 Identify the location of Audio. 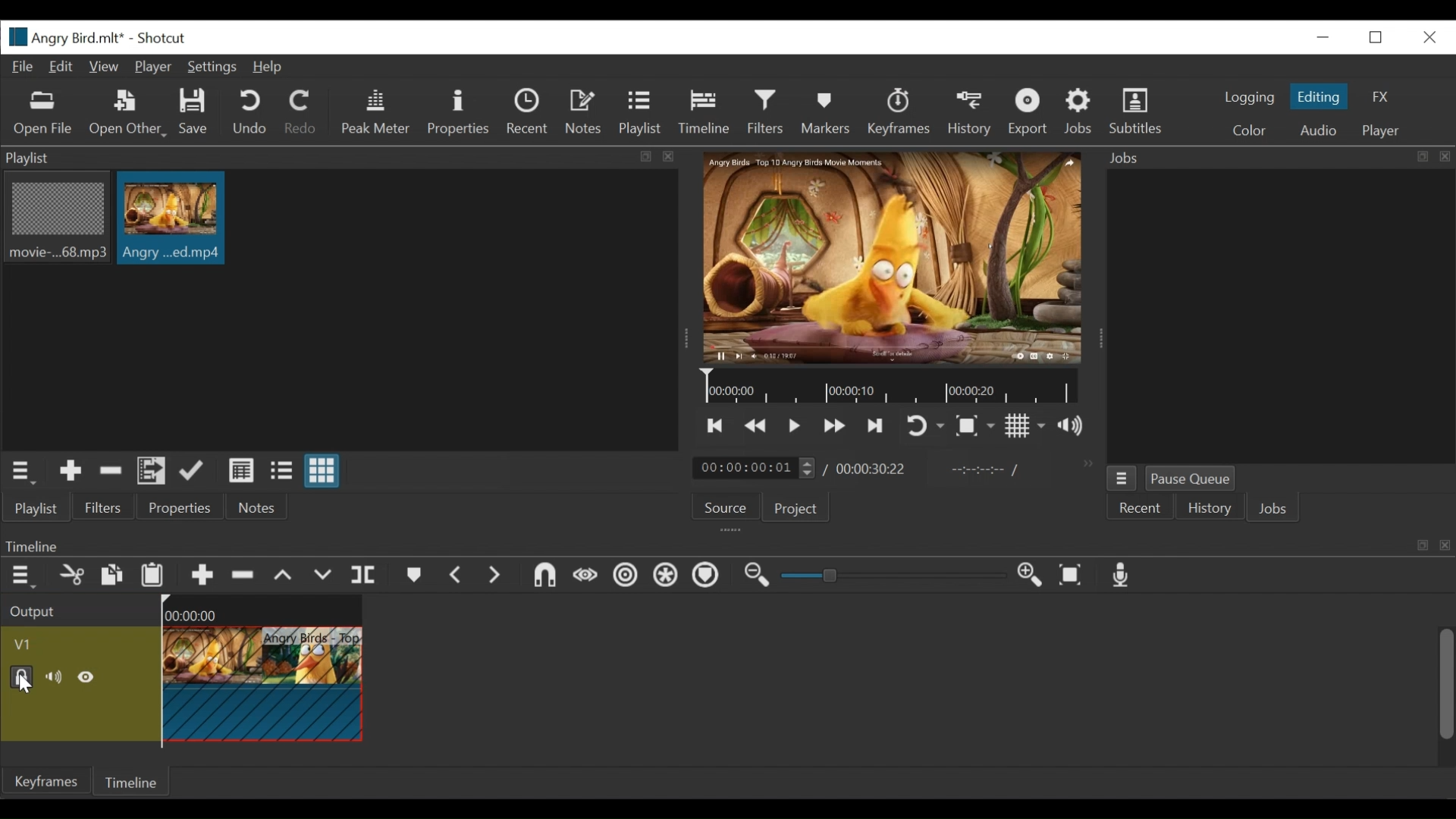
(1316, 130).